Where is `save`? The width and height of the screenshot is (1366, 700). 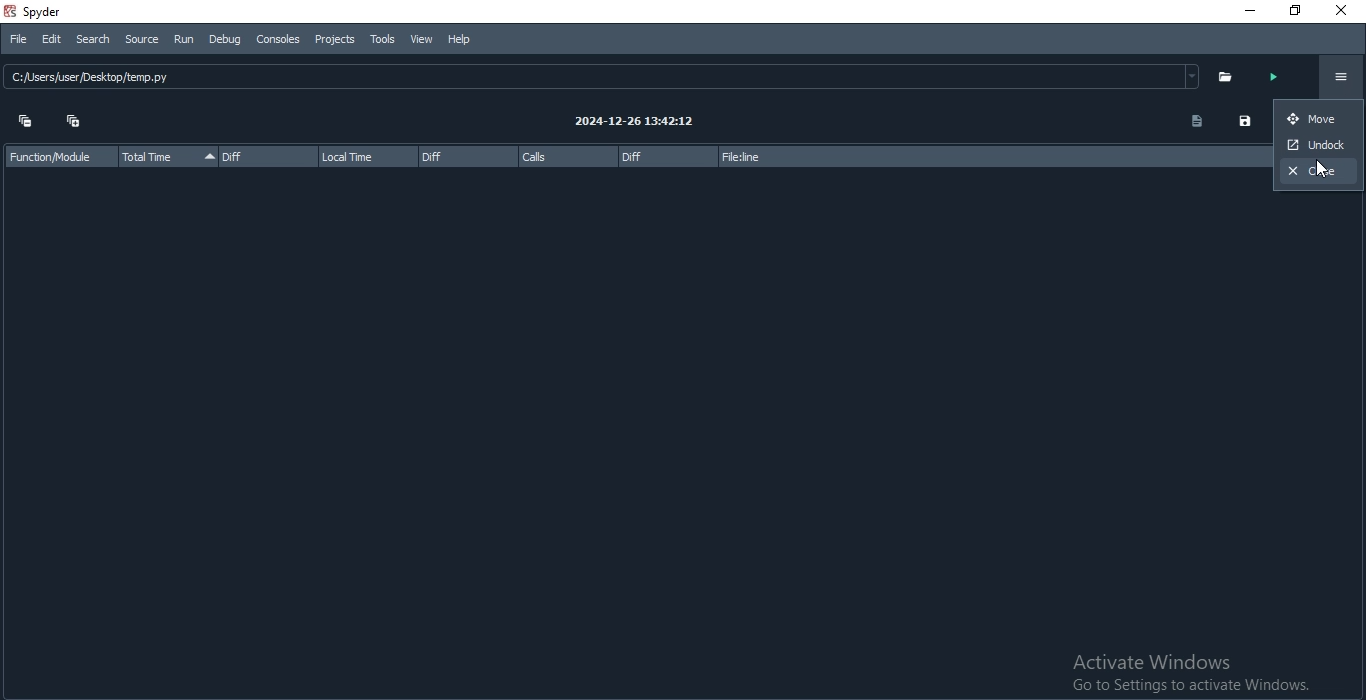
save is located at coordinates (1246, 122).